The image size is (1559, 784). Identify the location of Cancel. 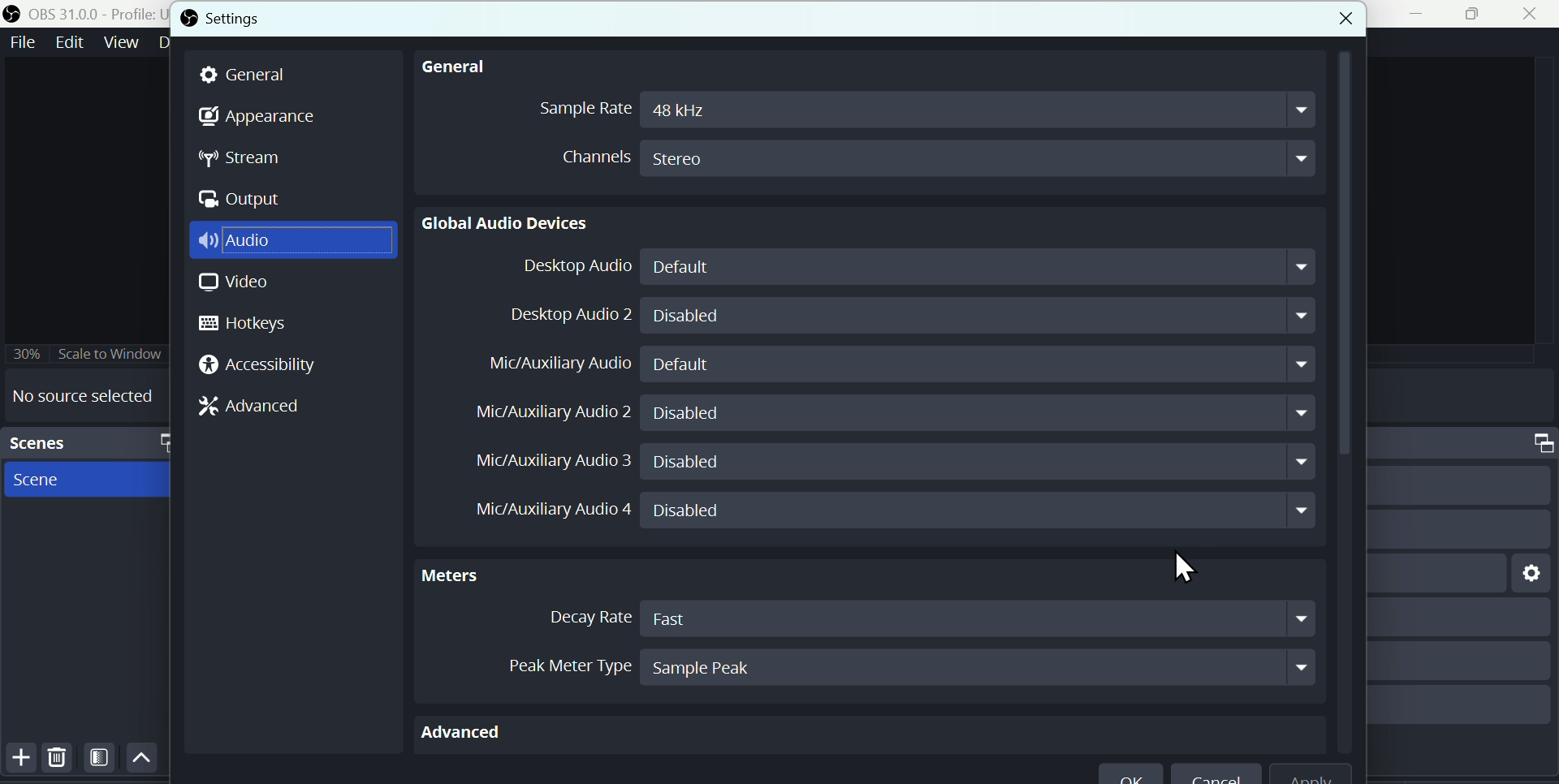
(1217, 771).